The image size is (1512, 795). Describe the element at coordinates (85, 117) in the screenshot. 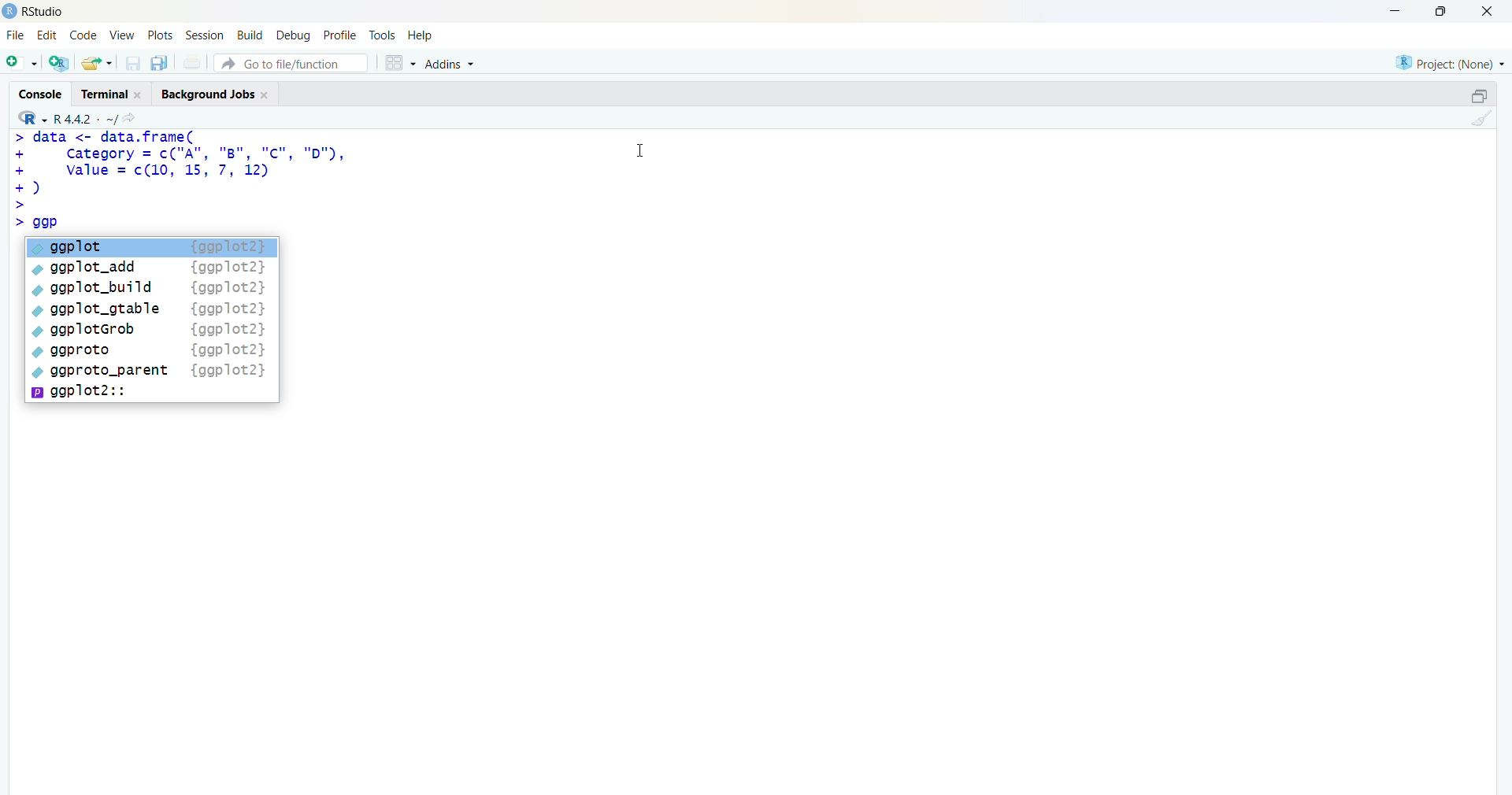

I see ` R language version - R 4.4.2` at that location.